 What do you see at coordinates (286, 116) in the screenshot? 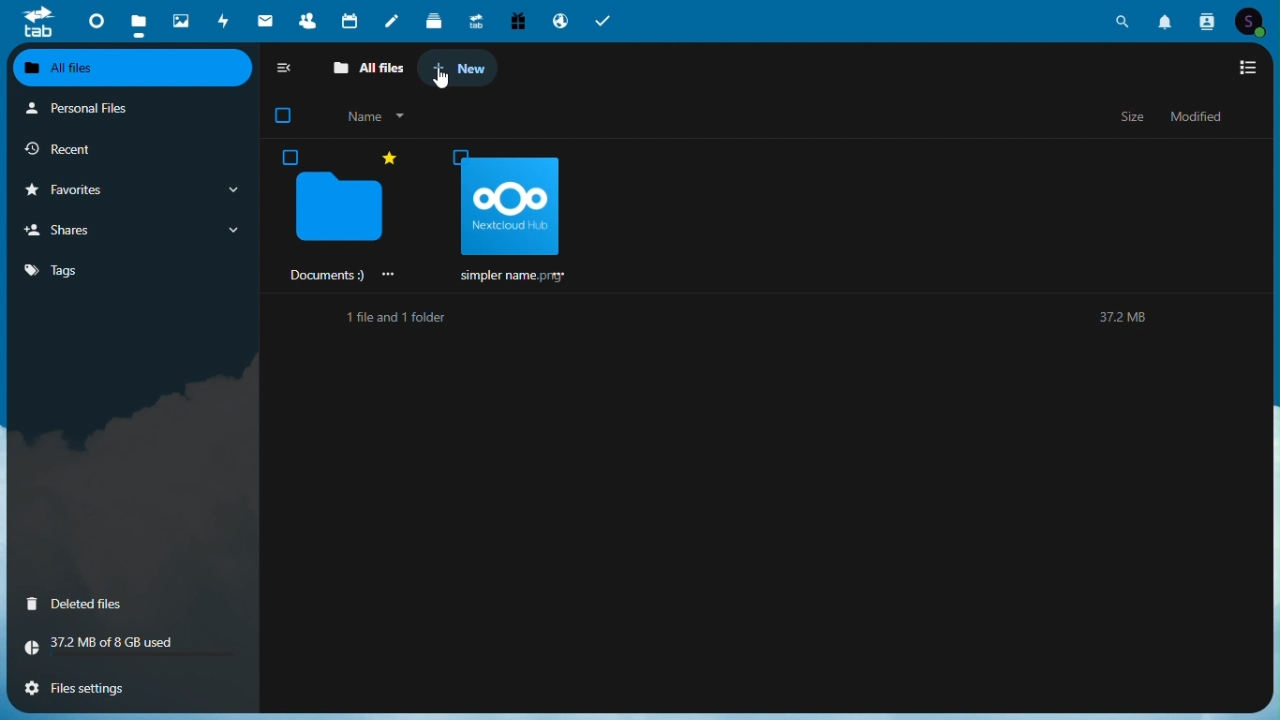
I see `checkbox` at bounding box center [286, 116].